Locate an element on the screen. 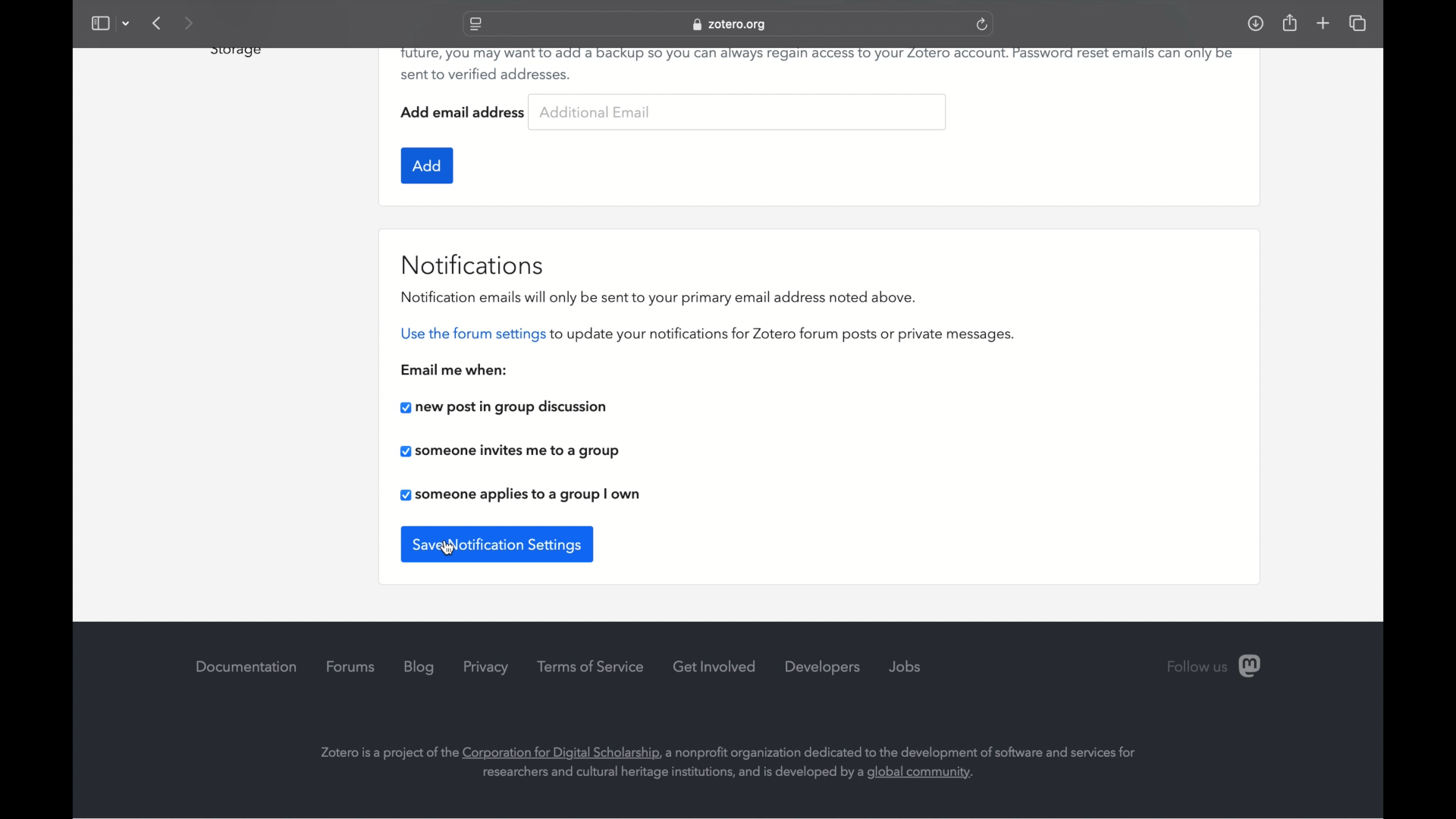 Image resolution: width=1456 pixels, height=819 pixels. use the forum settings to update your notifications for zotero forum posts or private messages is located at coordinates (707, 334).